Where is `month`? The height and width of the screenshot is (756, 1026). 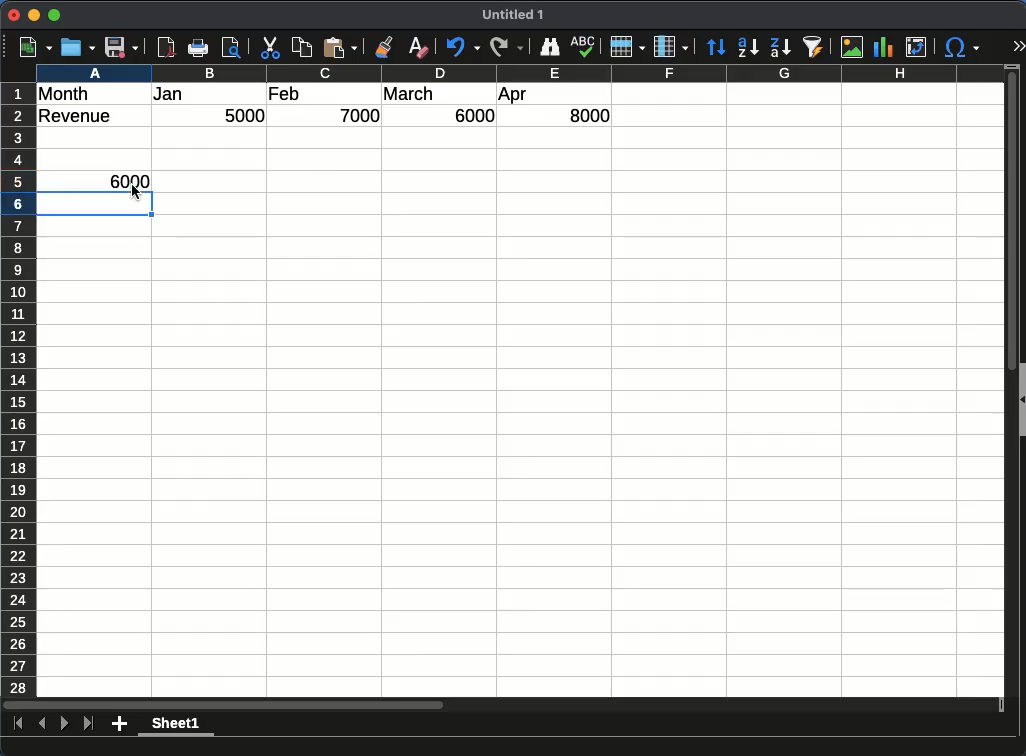
month is located at coordinates (64, 94).